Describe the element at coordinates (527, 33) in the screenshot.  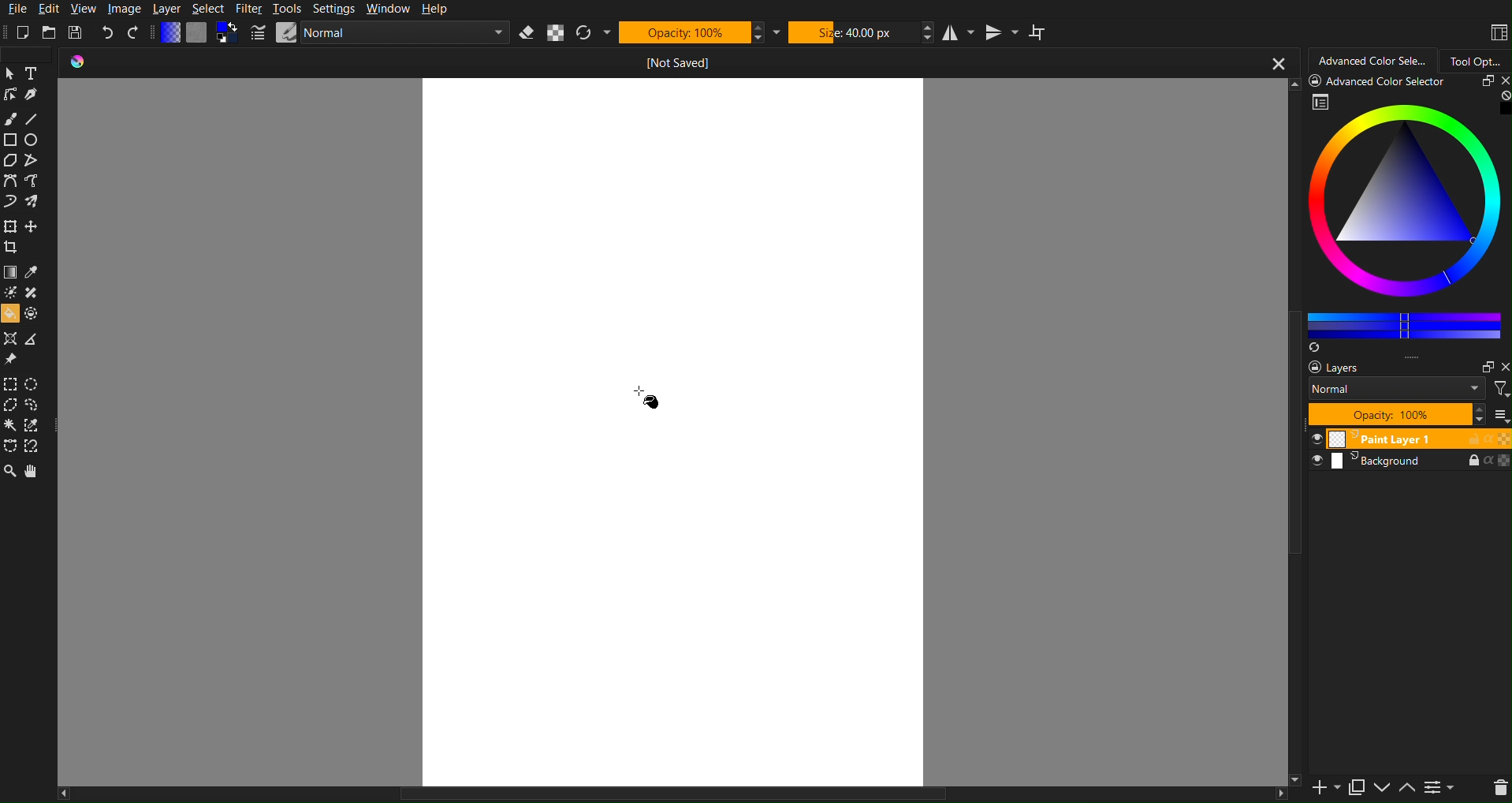
I see `Erase` at that location.